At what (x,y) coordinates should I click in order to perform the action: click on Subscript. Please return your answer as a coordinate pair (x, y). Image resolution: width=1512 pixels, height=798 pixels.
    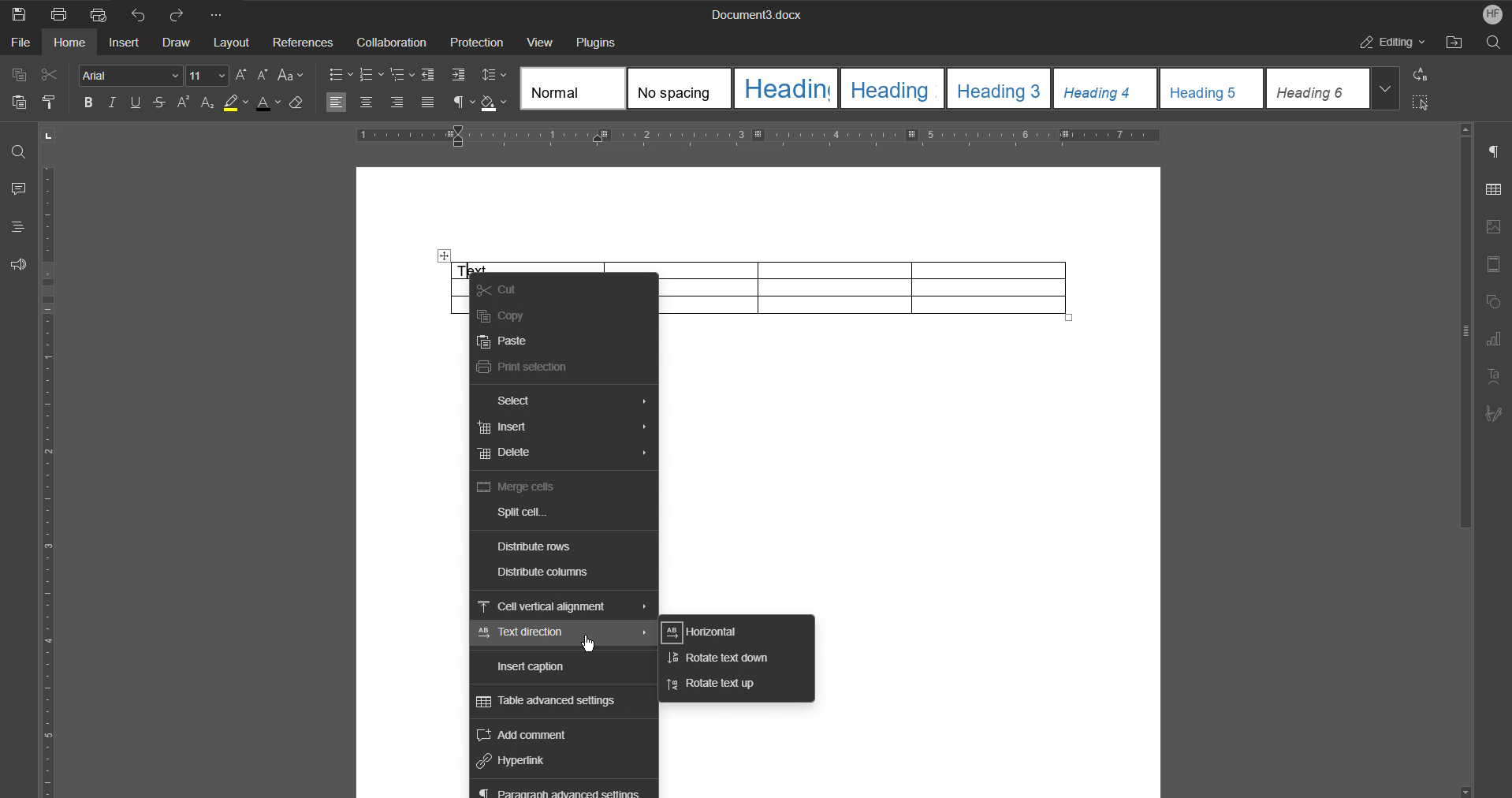
    Looking at the image, I should click on (207, 102).